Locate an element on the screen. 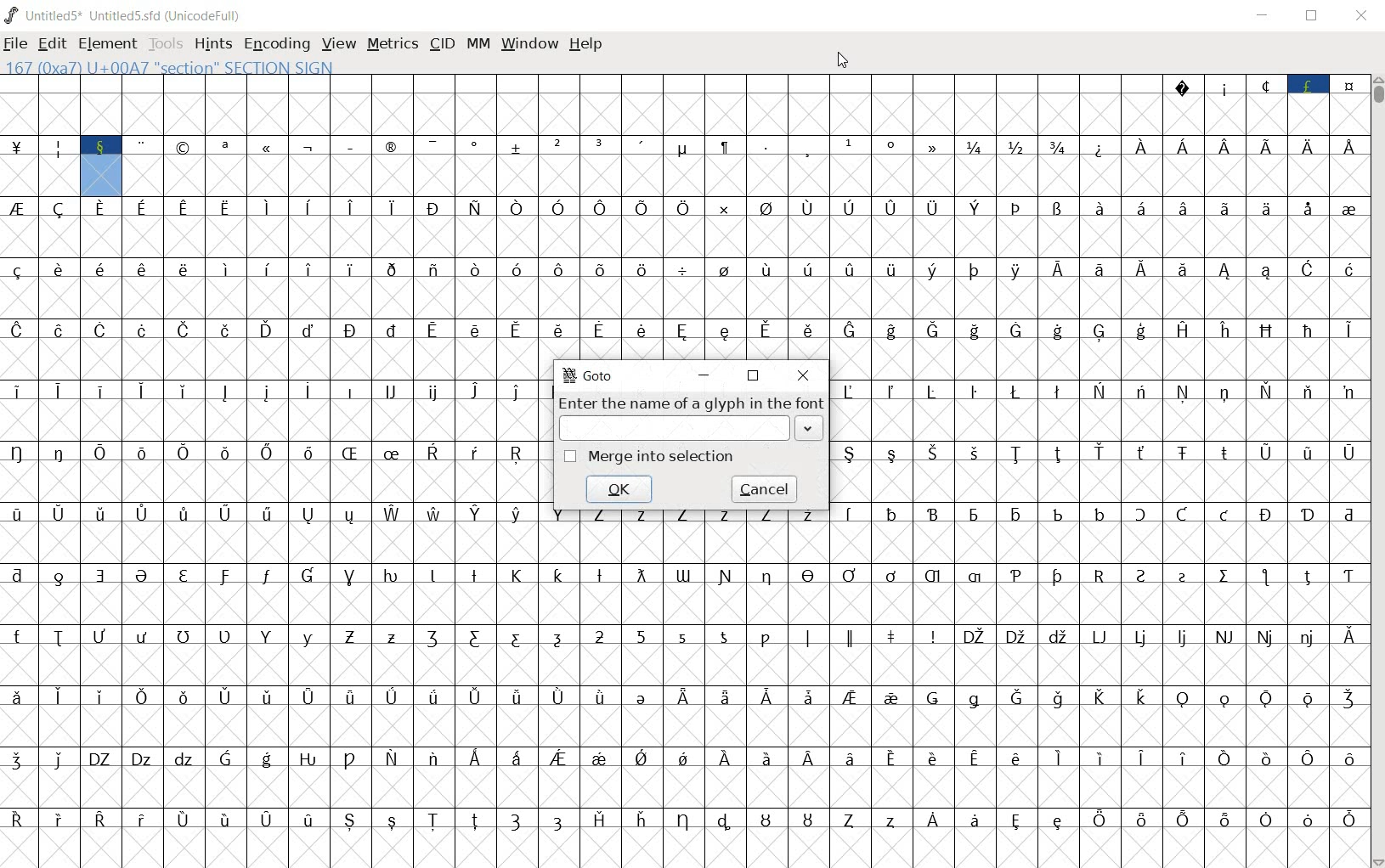 Image resolution: width=1385 pixels, height=868 pixels. special alphabet is located at coordinates (228, 656).